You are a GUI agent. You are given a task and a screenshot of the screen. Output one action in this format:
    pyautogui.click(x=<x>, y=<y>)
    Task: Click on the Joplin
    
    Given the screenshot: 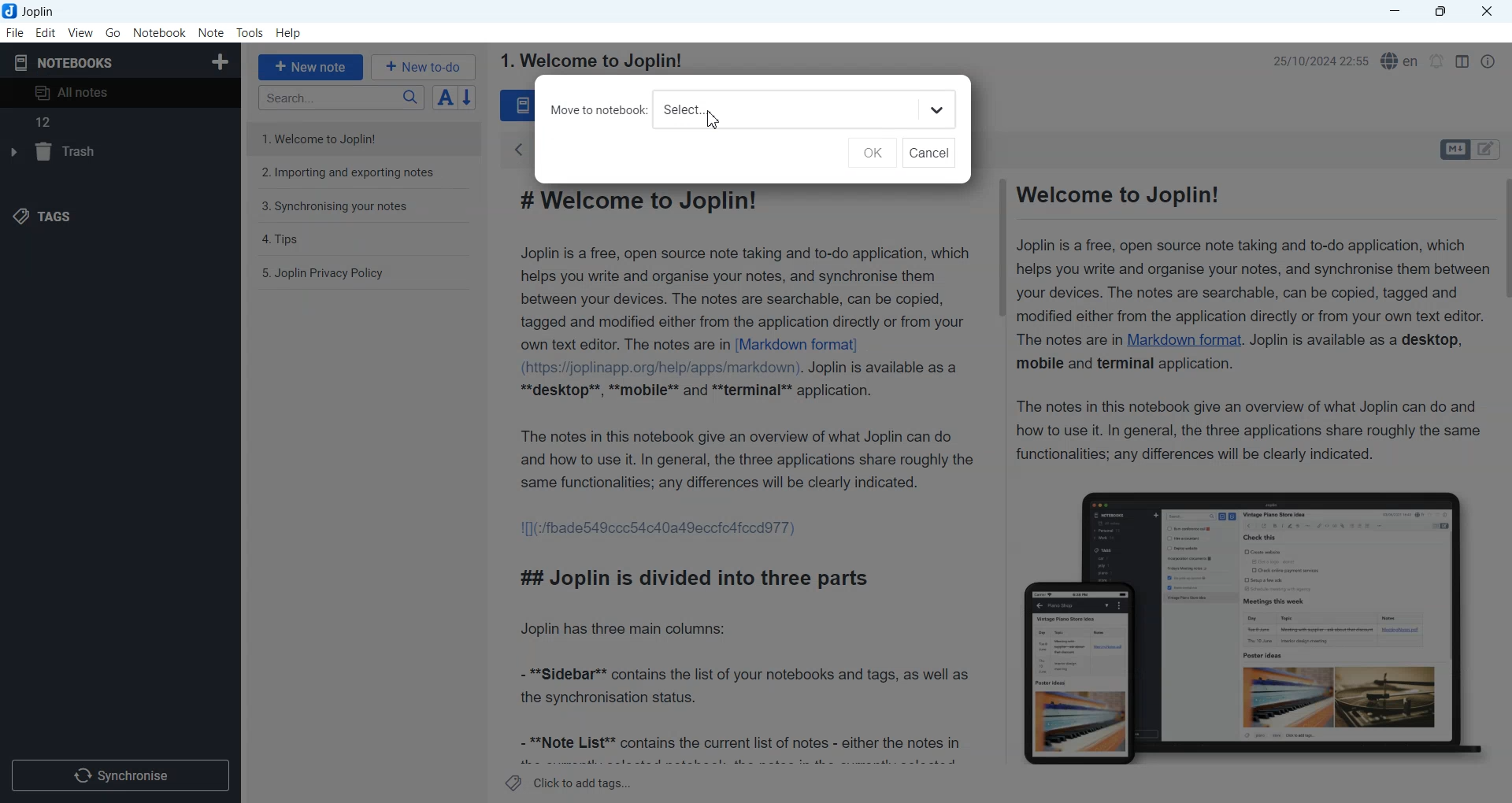 What is the action you would take?
    pyautogui.click(x=34, y=11)
    